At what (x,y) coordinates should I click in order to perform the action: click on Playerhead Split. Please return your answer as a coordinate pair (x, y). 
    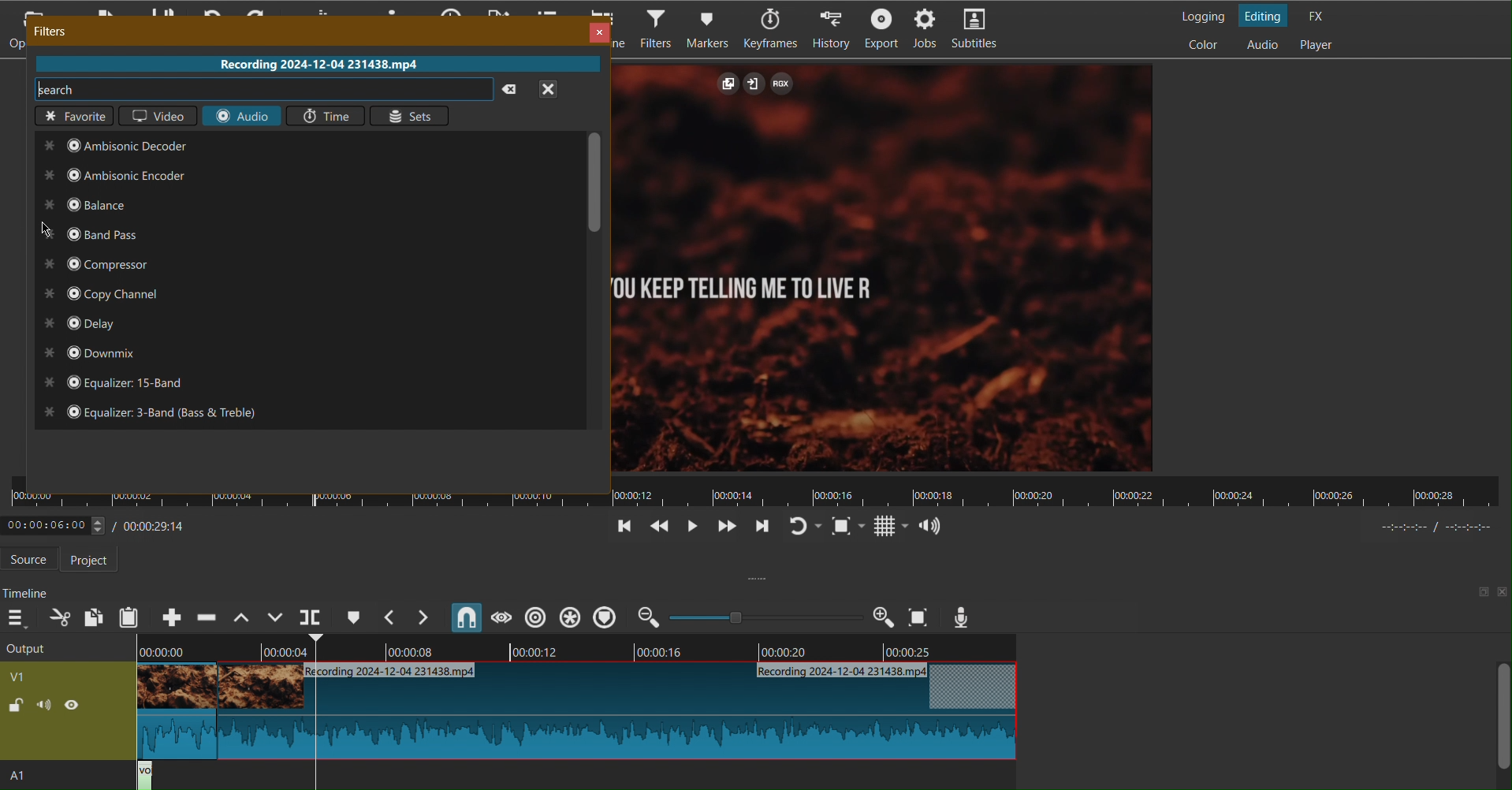
    Looking at the image, I should click on (311, 617).